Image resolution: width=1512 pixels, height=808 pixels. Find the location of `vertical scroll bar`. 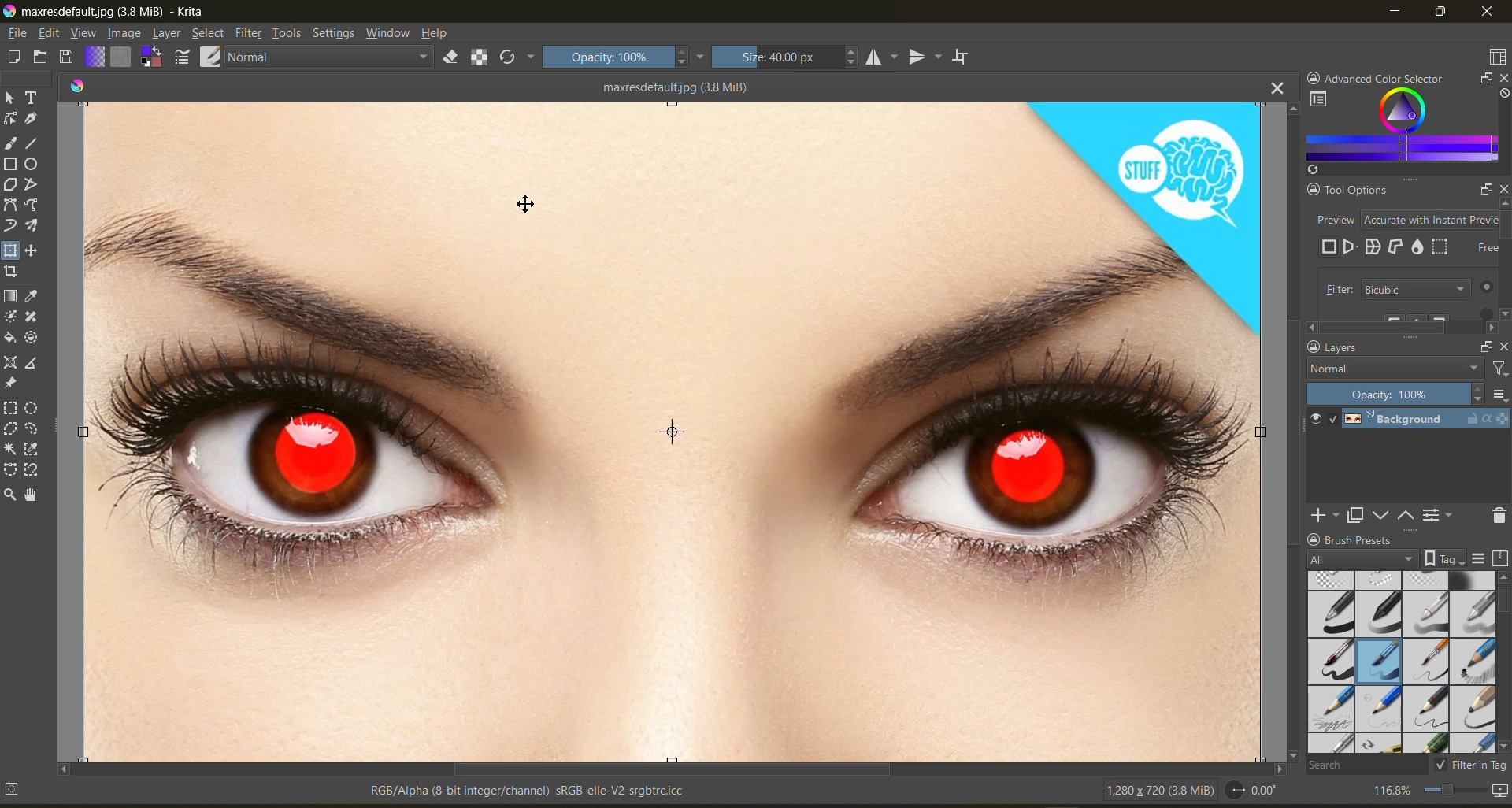

vertical scroll bar is located at coordinates (1289, 430).